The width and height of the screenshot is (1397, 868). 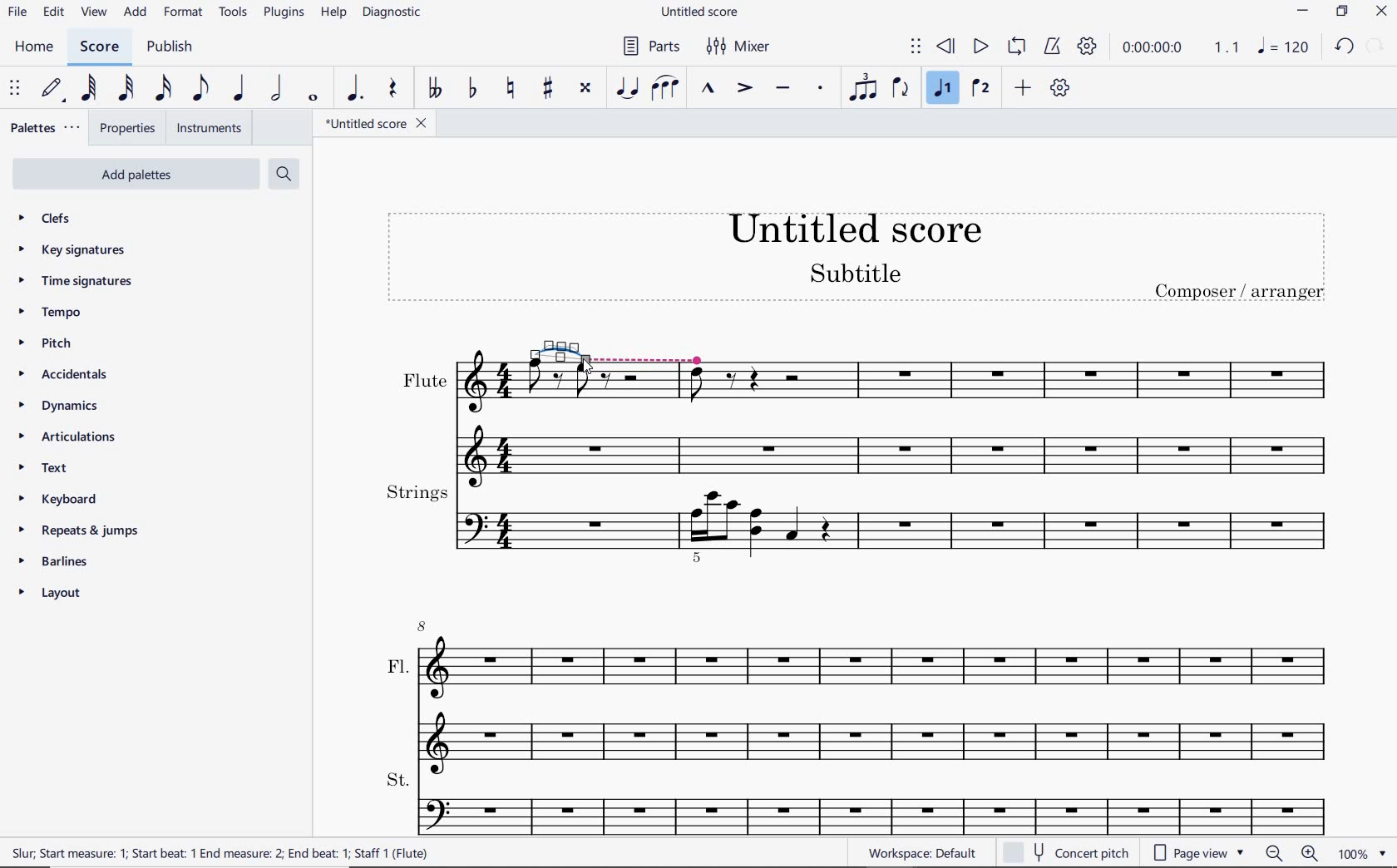 What do you see at coordinates (163, 89) in the screenshot?
I see `16TH NOTE` at bounding box center [163, 89].